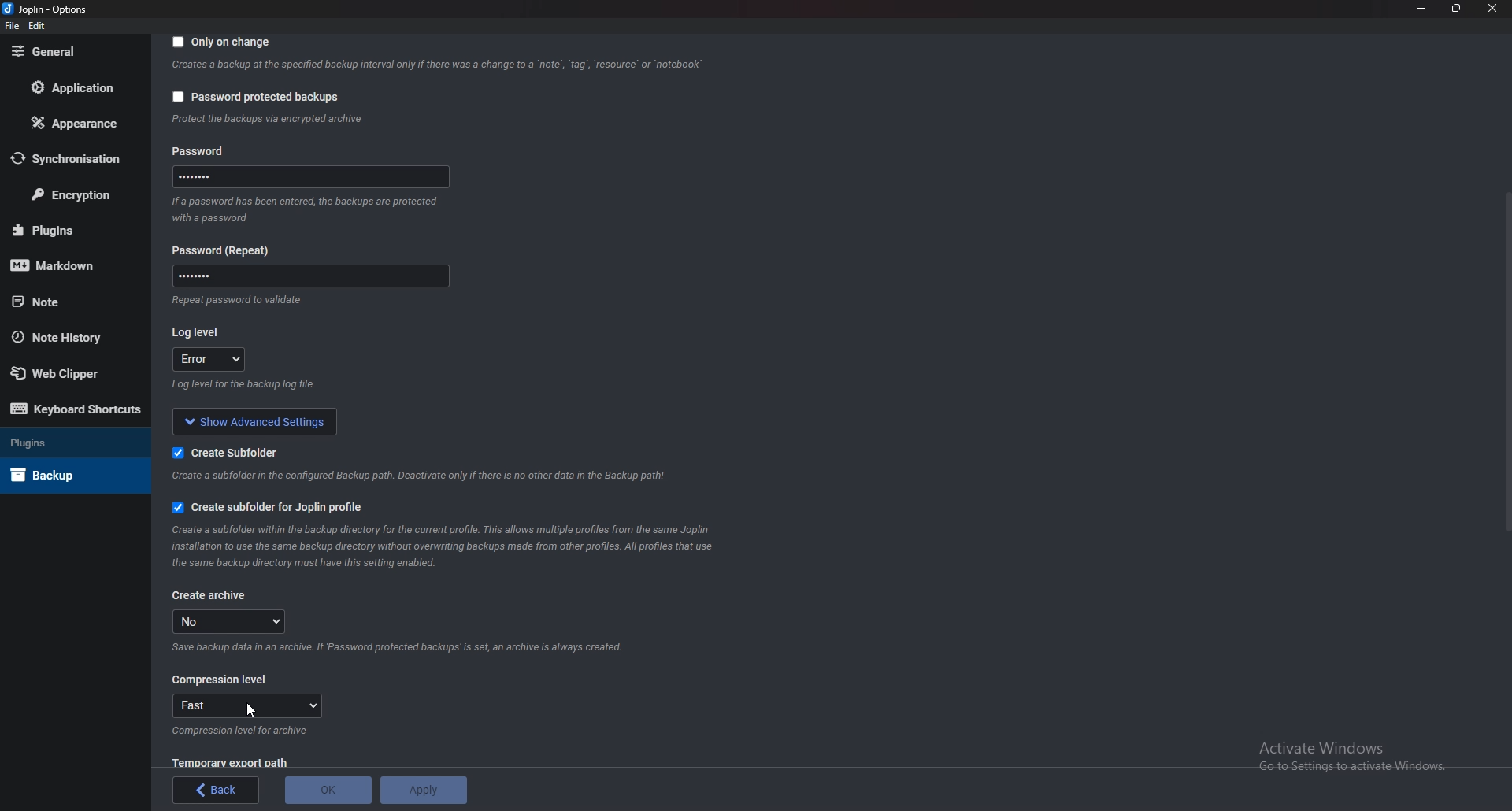 This screenshot has width=1512, height=811. What do you see at coordinates (255, 97) in the screenshot?
I see `Password protected backups` at bounding box center [255, 97].